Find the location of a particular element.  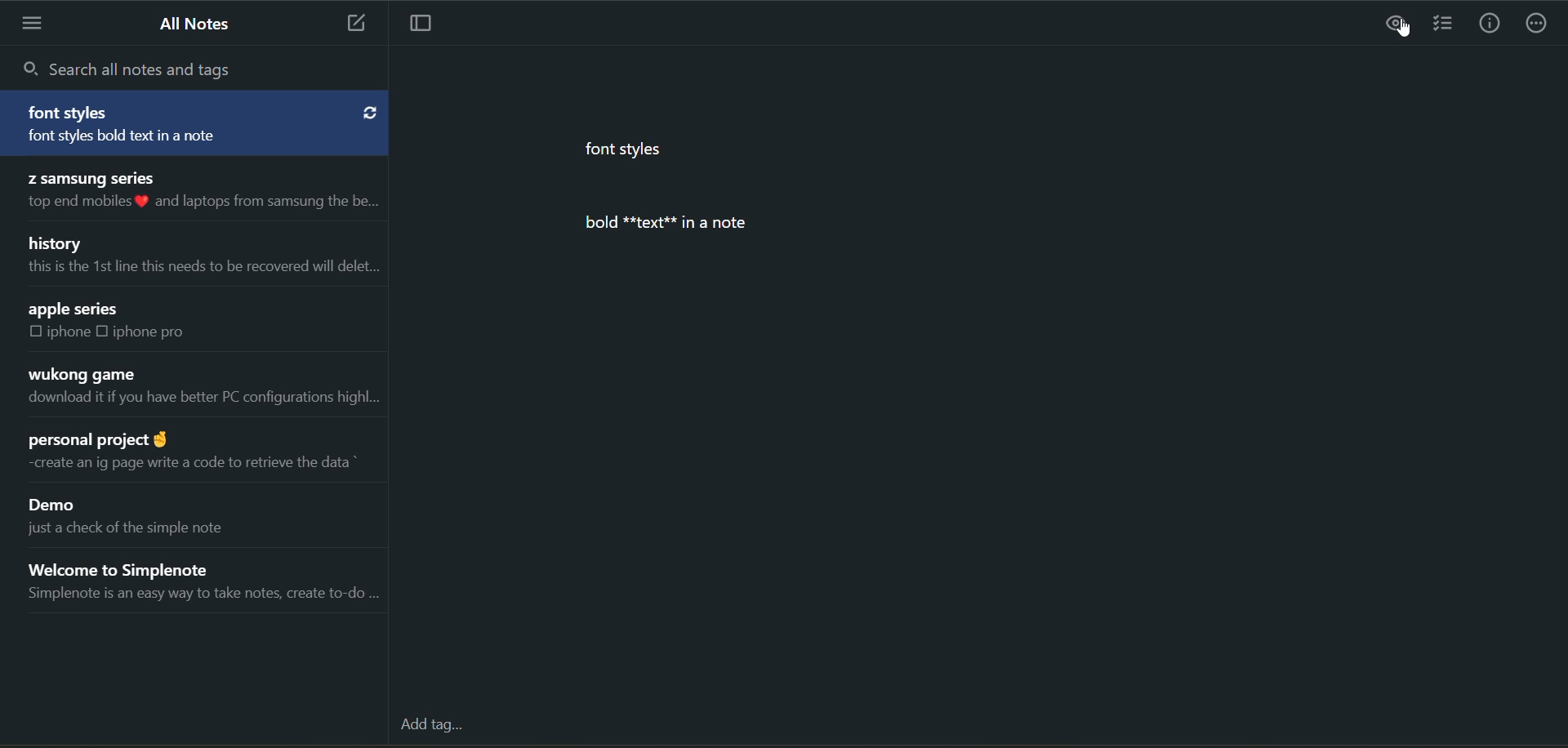

menu is located at coordinates (35, 23).